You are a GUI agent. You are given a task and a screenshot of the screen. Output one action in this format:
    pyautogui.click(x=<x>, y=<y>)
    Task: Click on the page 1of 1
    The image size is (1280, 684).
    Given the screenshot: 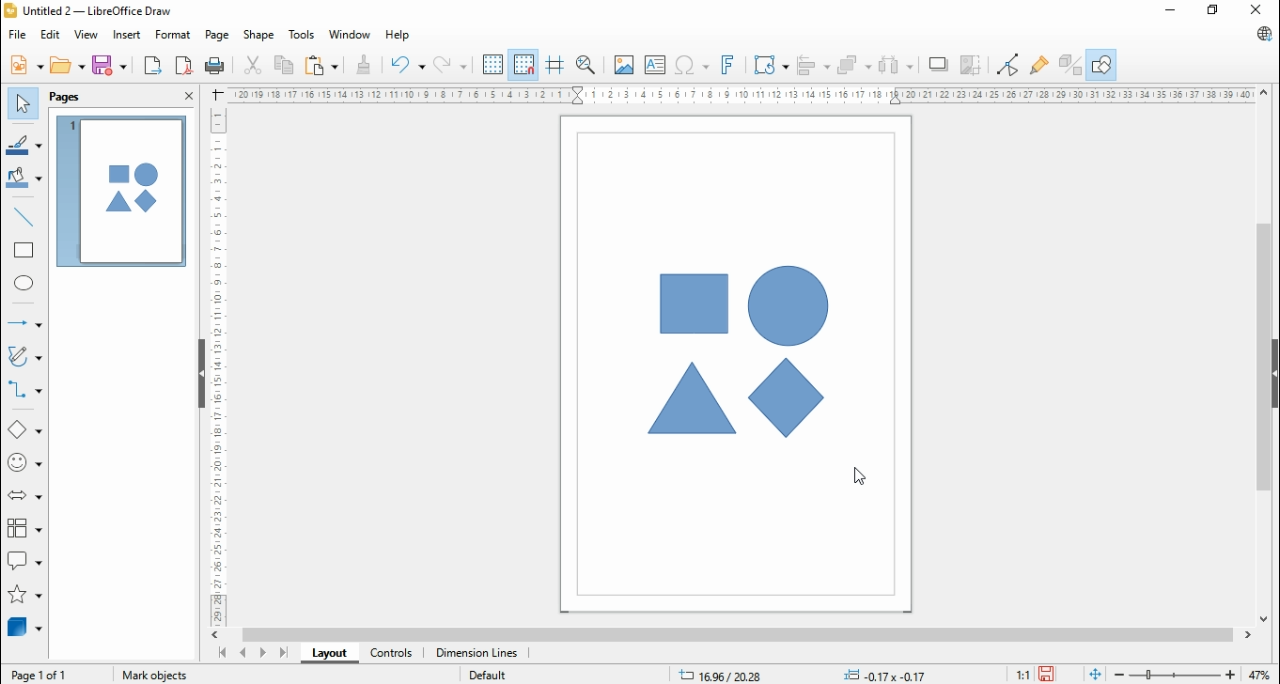 What is the action you would take?
    pyautogui.click(x=41, y=674)
    